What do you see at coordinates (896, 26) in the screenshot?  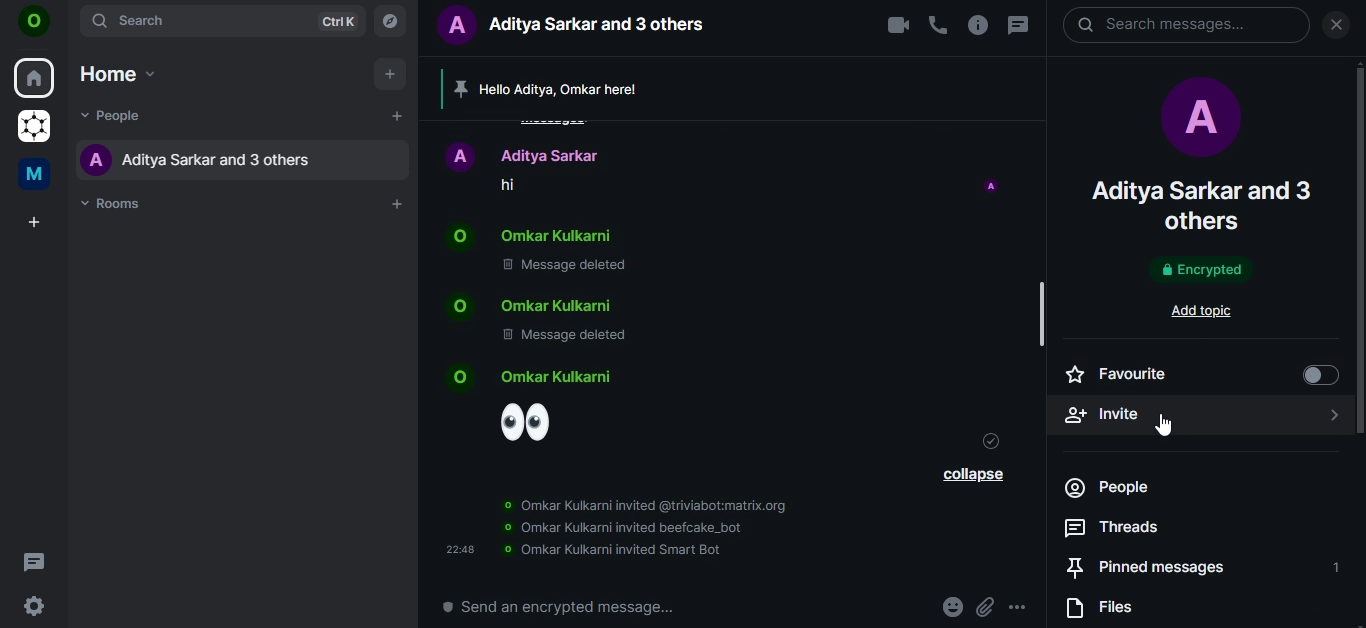 I see `video call` at bounding box center [896, 26].